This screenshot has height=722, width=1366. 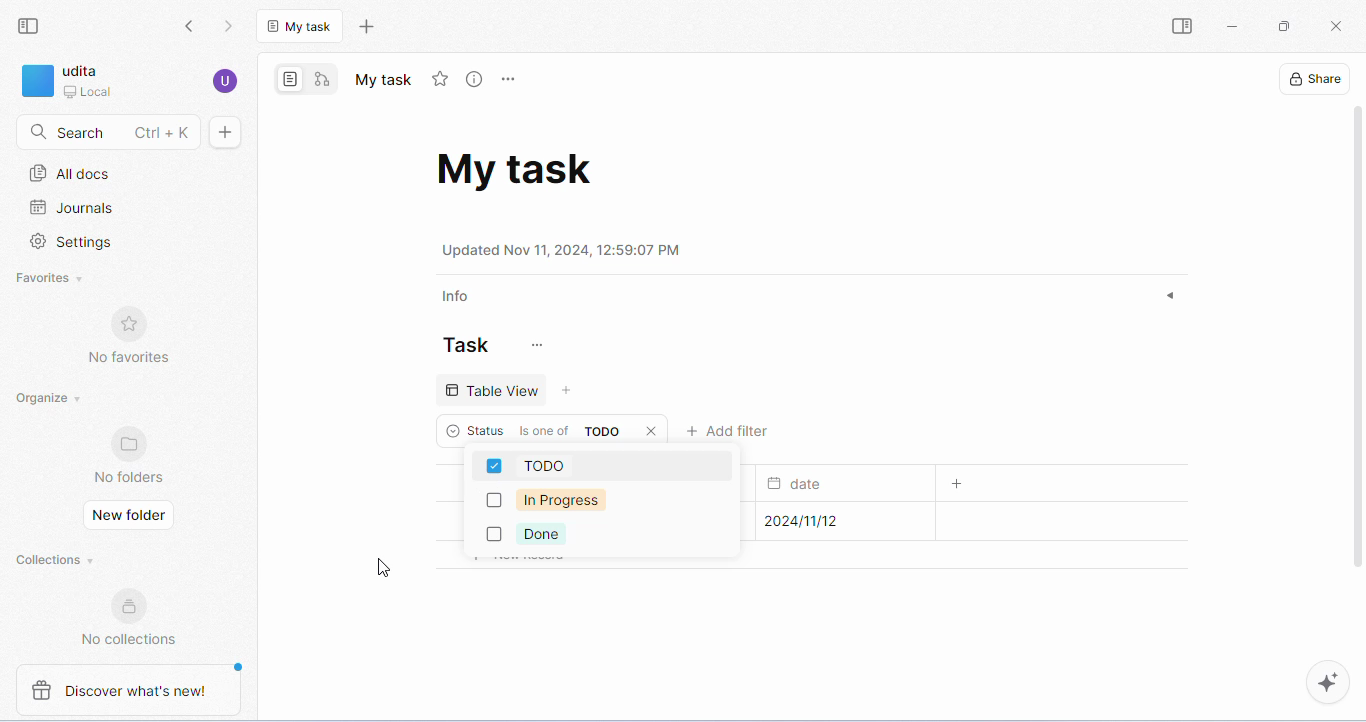 What do you see at coordinates (440, 79) in the screenshot?
I see `add favorite` at bounding box center [440, 79].